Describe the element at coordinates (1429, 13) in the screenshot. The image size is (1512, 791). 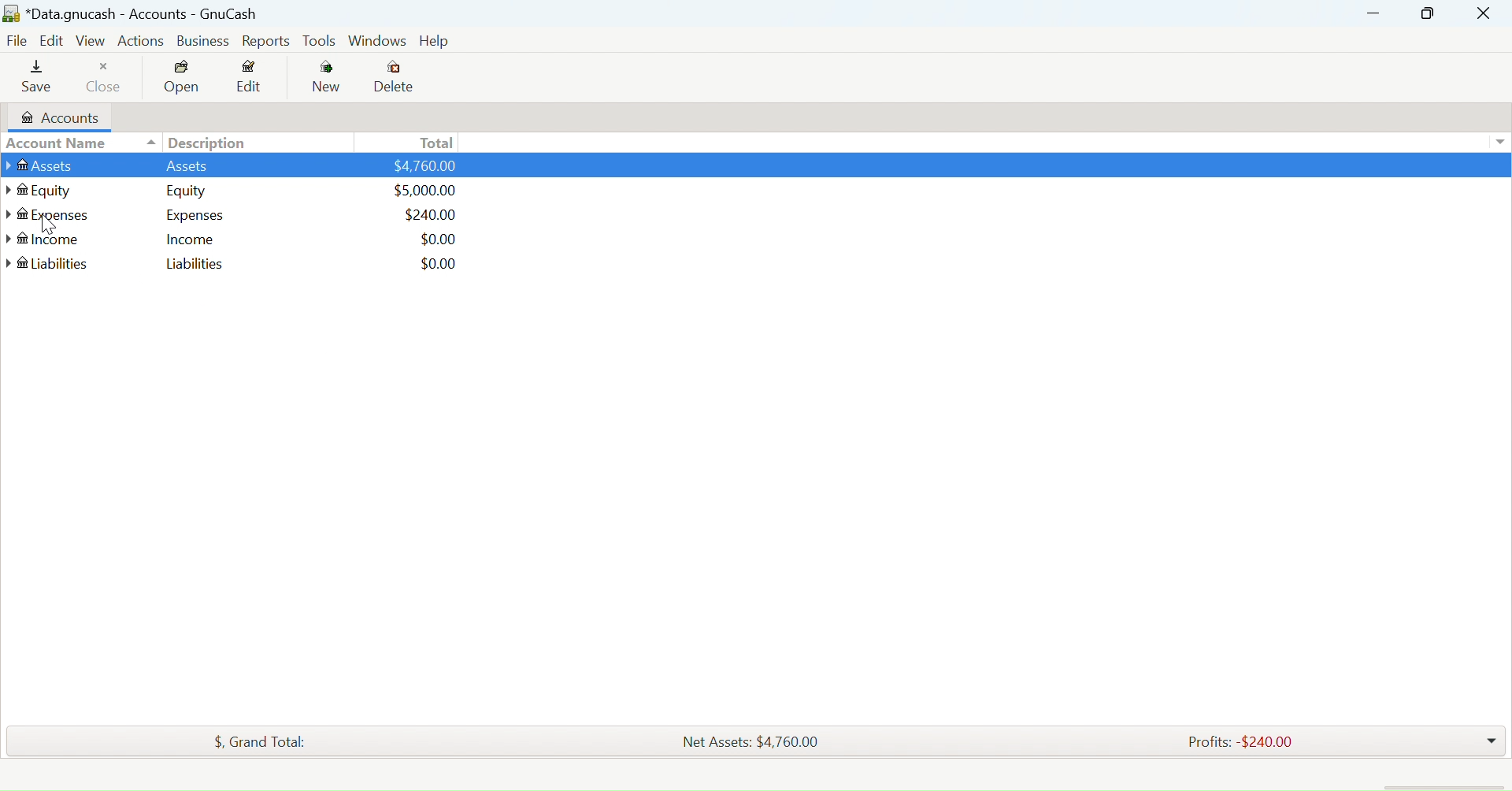
I see `Minimize` at that location.